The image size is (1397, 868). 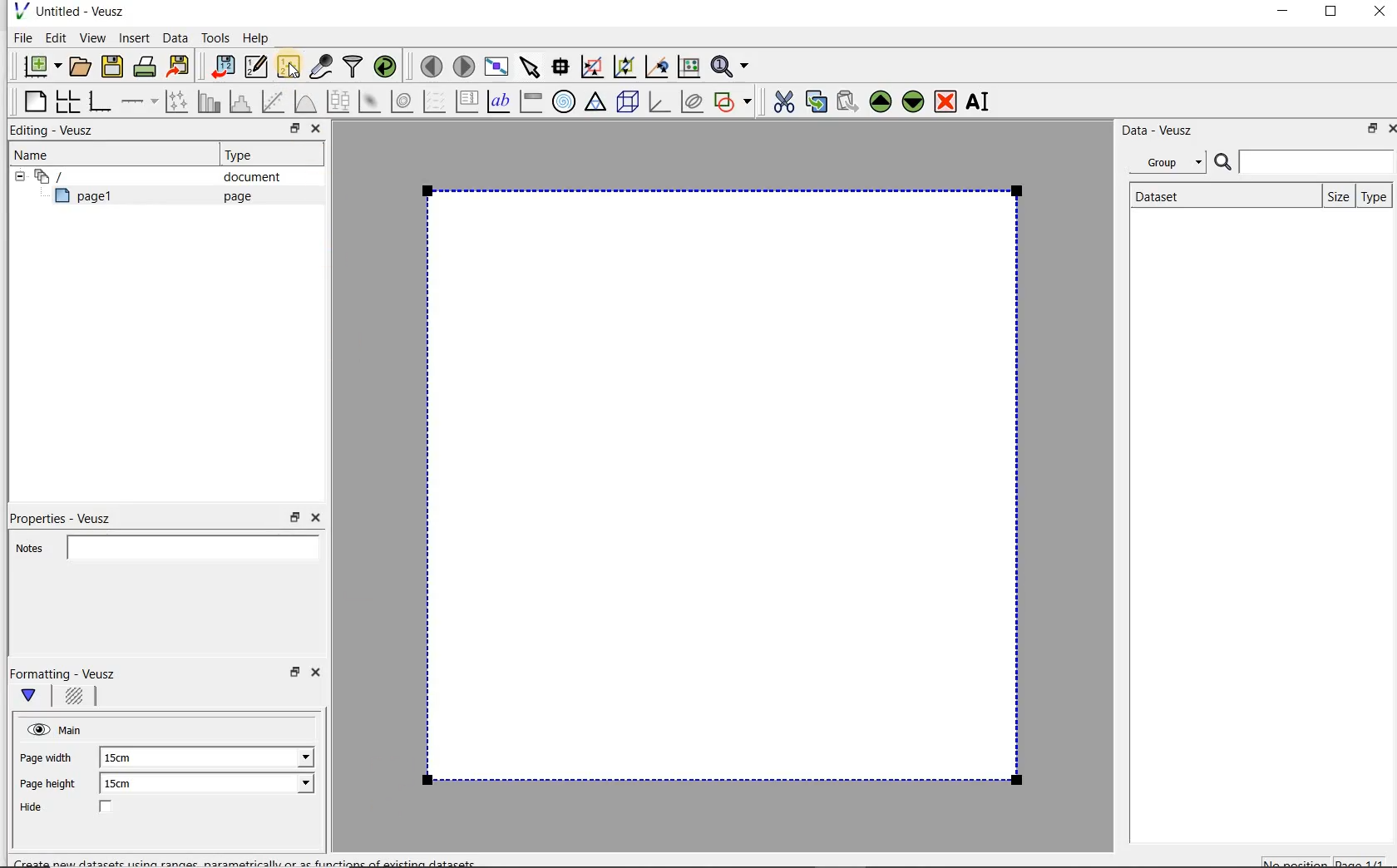 What do you see at coordinates (82, 65) in the screenshot?
I see `open a document` at bounding box center [82, 65].